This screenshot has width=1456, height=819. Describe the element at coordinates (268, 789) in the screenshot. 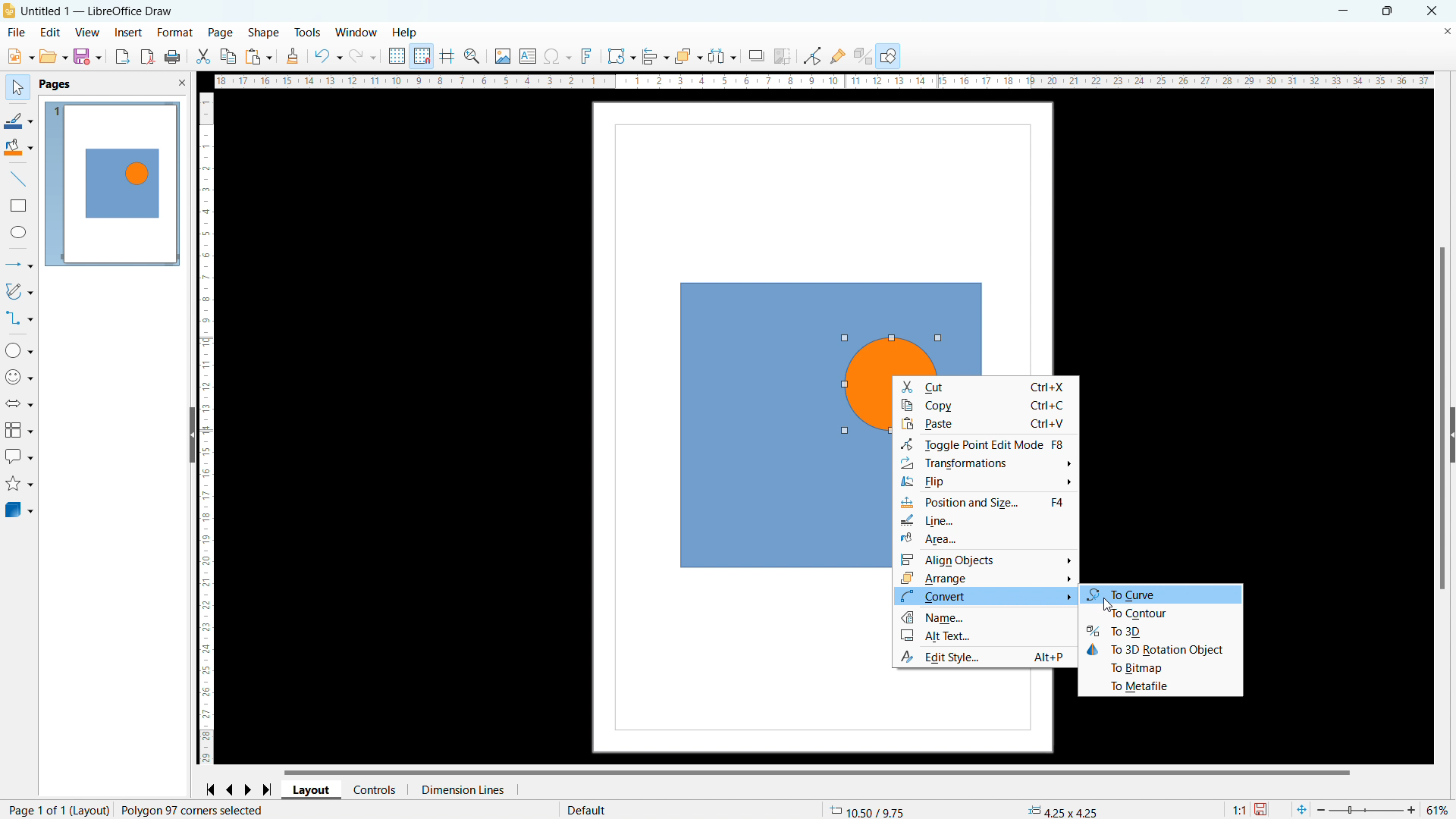

I see `go to last page` at that location.